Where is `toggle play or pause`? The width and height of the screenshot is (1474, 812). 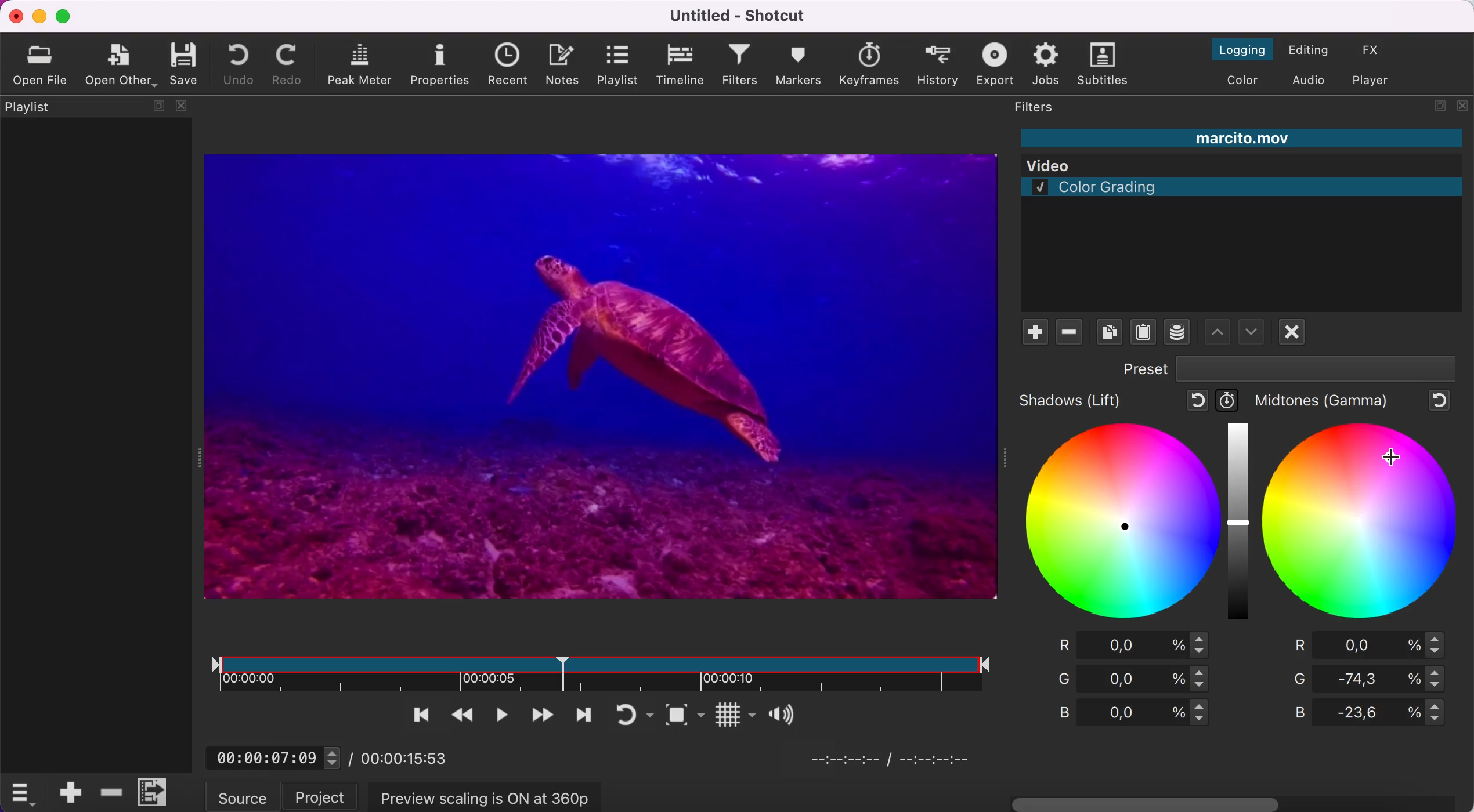 toggle play or pause is located at coordinates (499, 714).